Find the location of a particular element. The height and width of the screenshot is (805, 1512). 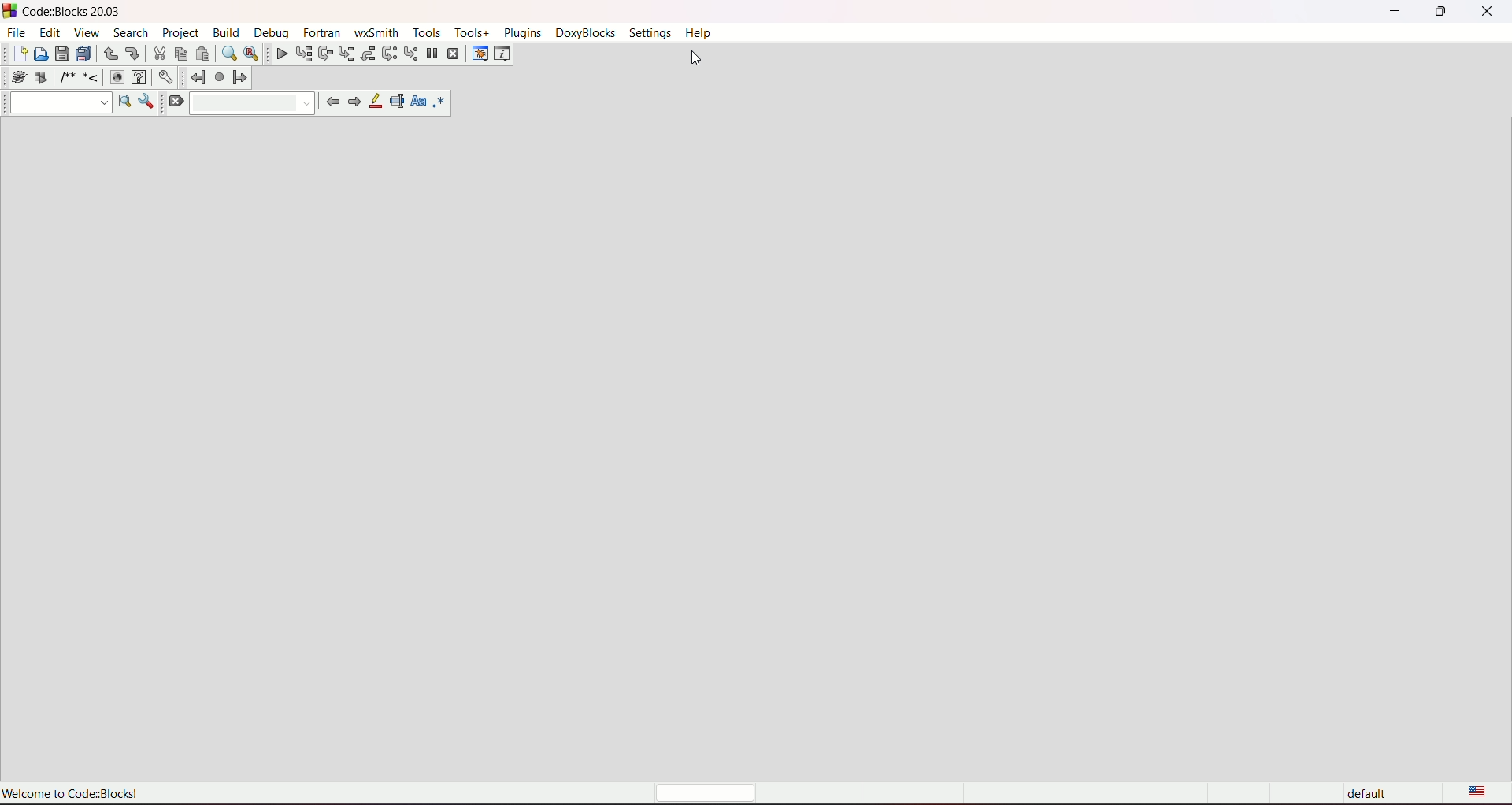

use regex is located at coordinates (439, 104).